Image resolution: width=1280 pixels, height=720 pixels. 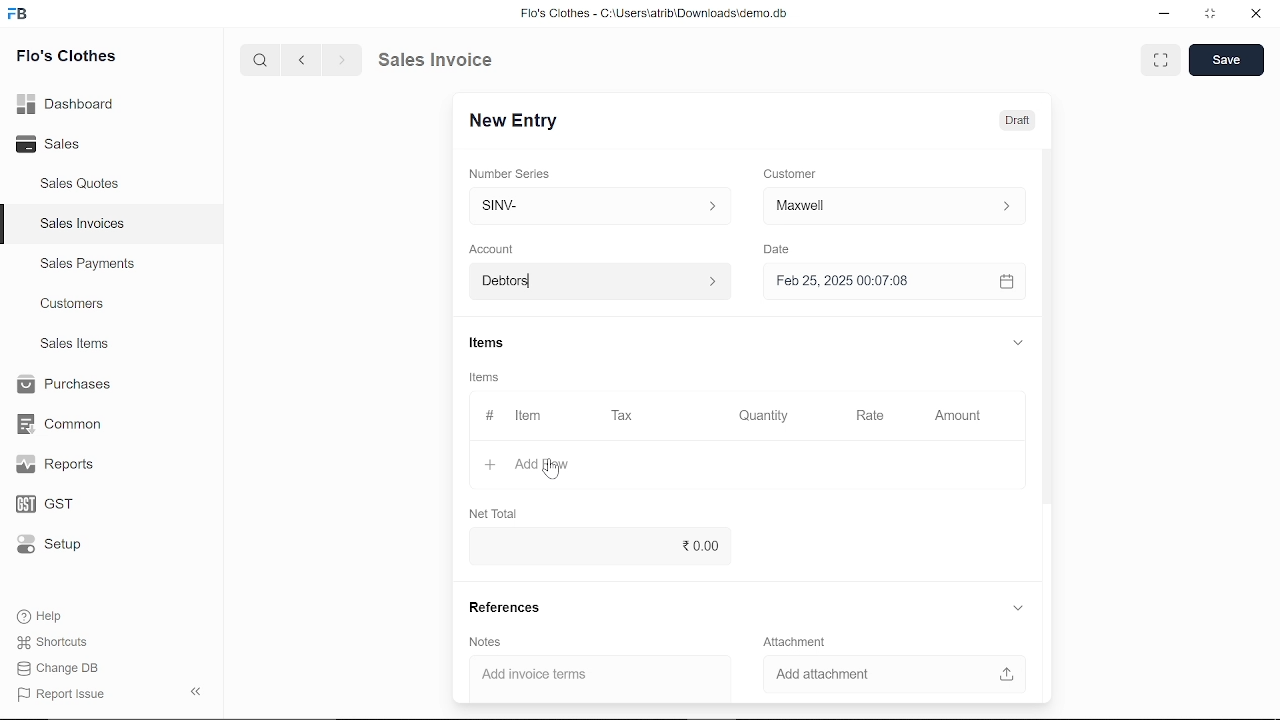 What do you see at coordinates (651, 13) in the screenshot?
I see `Flo's Clothes - G:AUserslatribiDownloadsidemo.do` at bounding box center [651, 13].